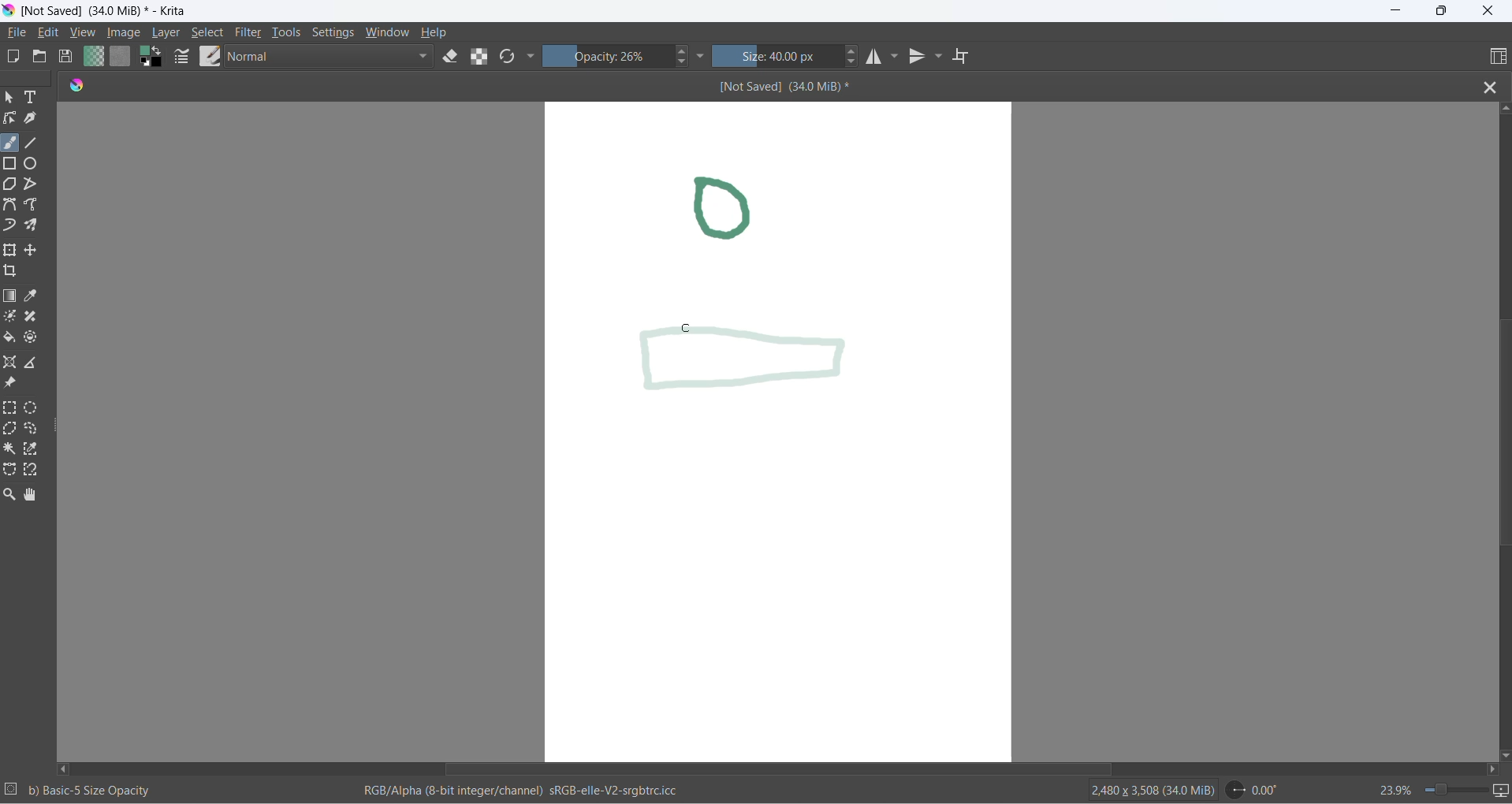 The width and height of the screenshot is (1512, 804). I want to click on size increase button, so click(855, 52).